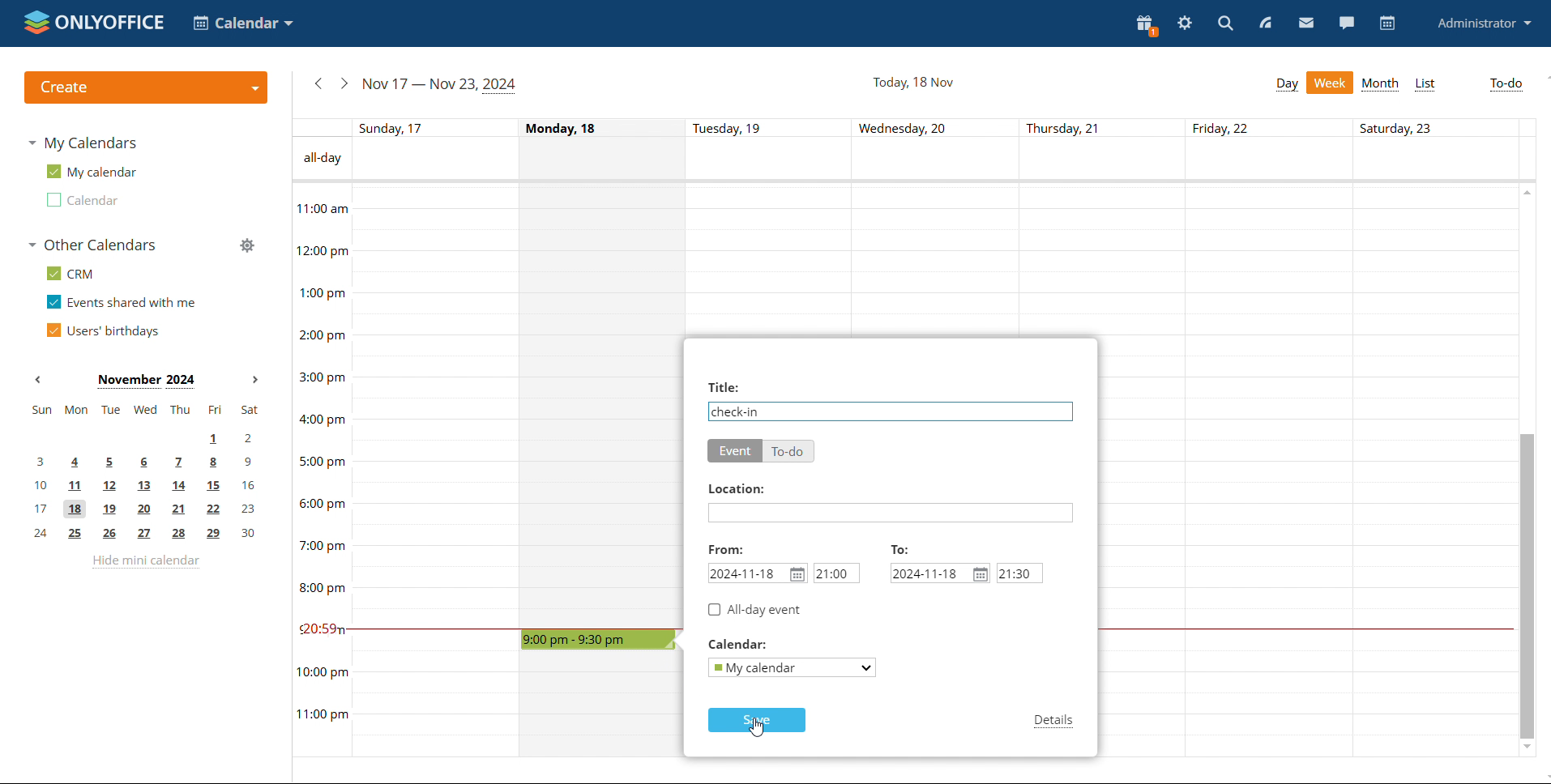 This screenshot has height=784, width=1551. What do you see at coordinates (442, 85) in the screenshot?
I see `current week` at bounding box center [442, 85].